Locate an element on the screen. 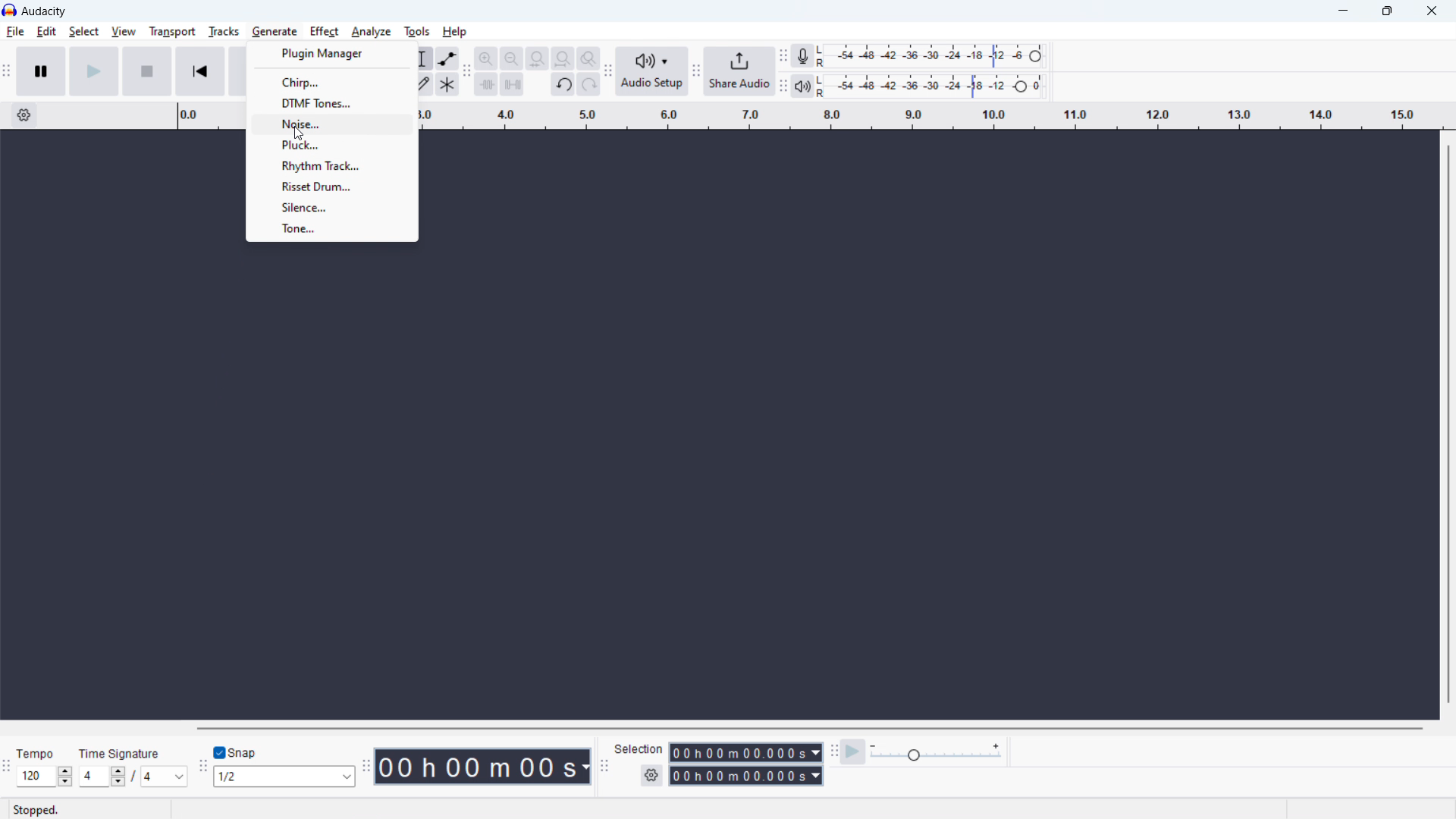 This screenshot has height=819, width=1456. enveloop tool is located at coordinates (447, 58).